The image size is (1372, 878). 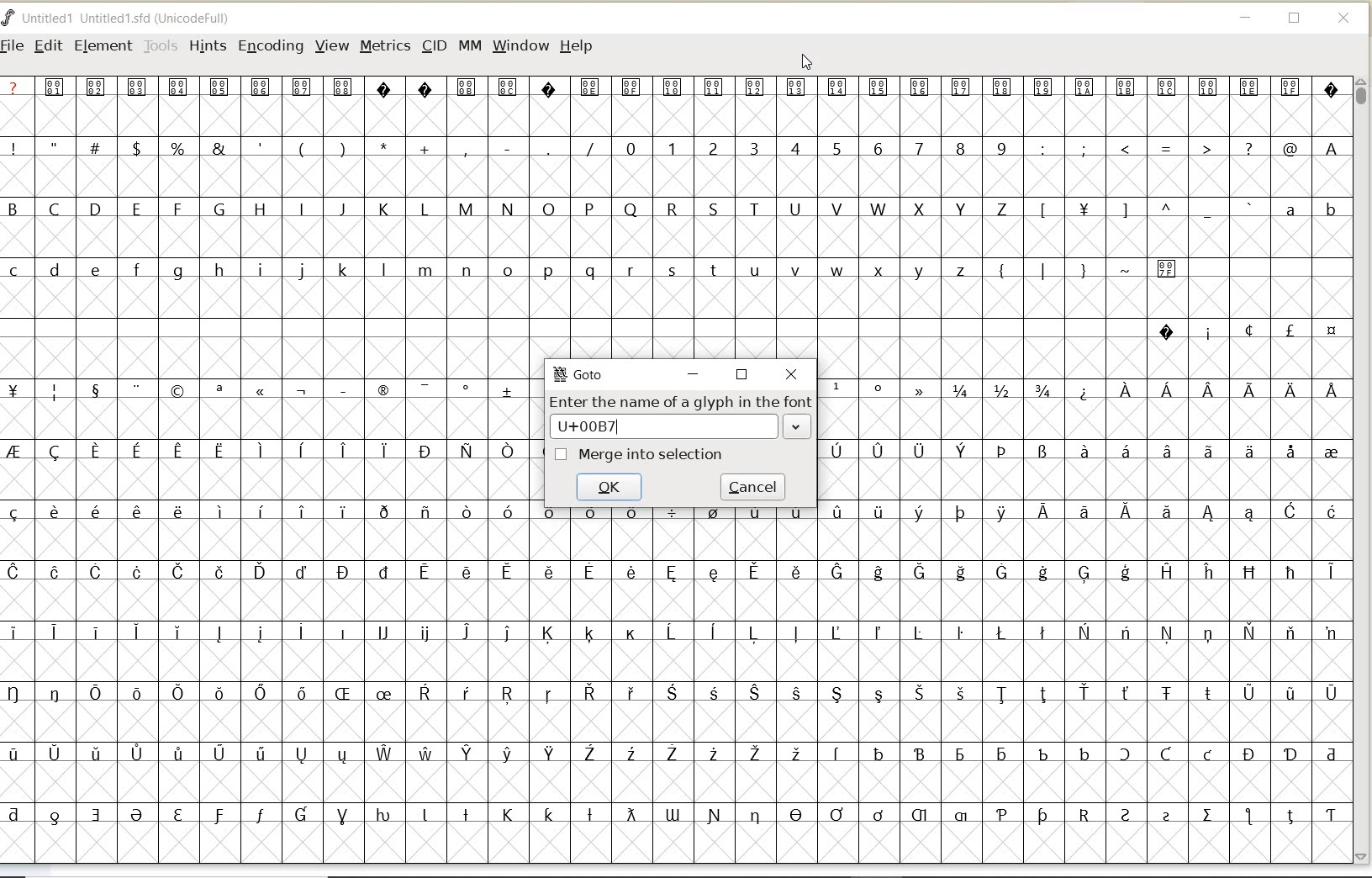 I want to click on expand, so click(x=797, y=426).